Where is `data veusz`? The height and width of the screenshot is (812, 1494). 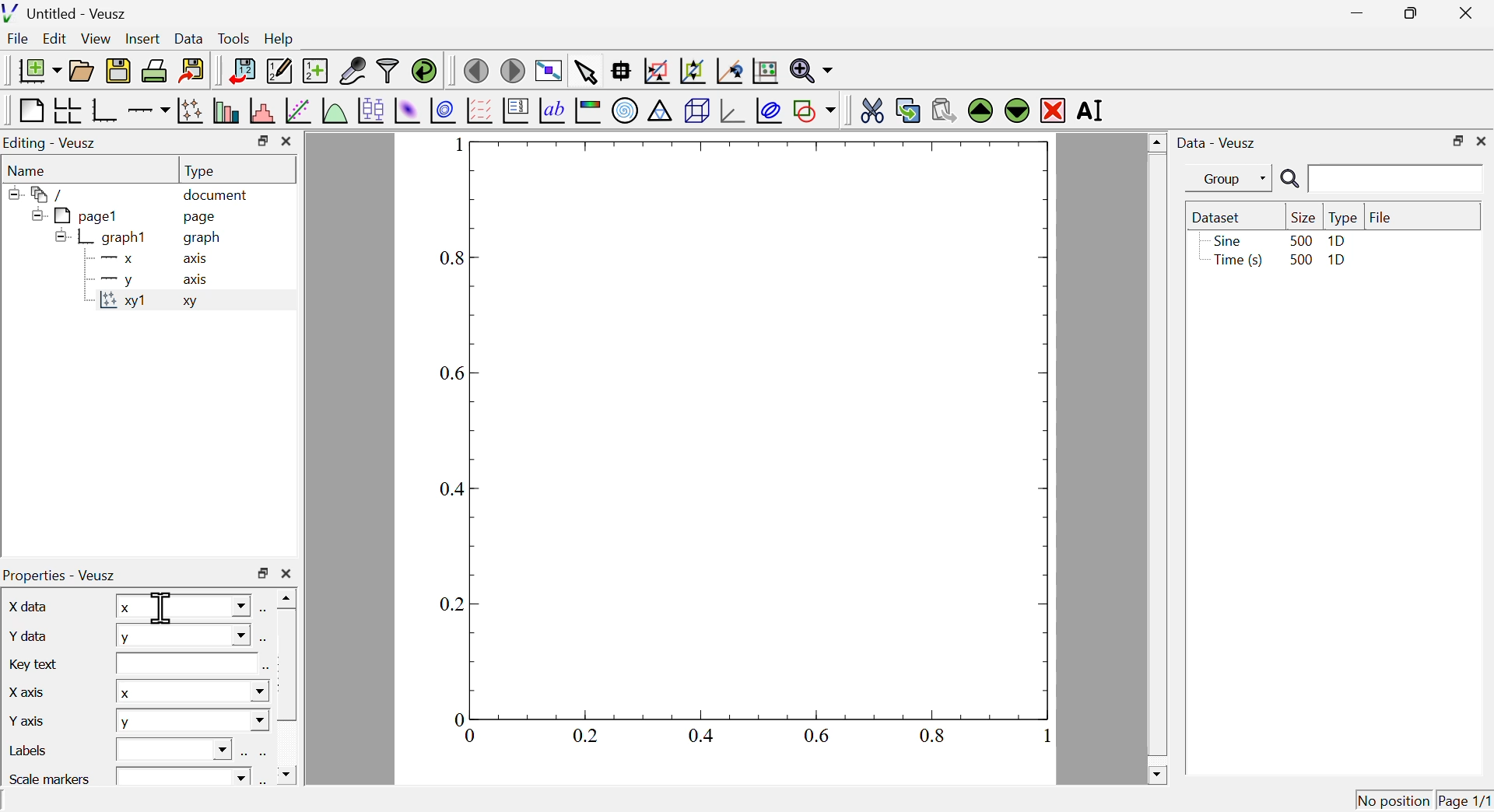 data veusz is located at coordinates (1217, 142).